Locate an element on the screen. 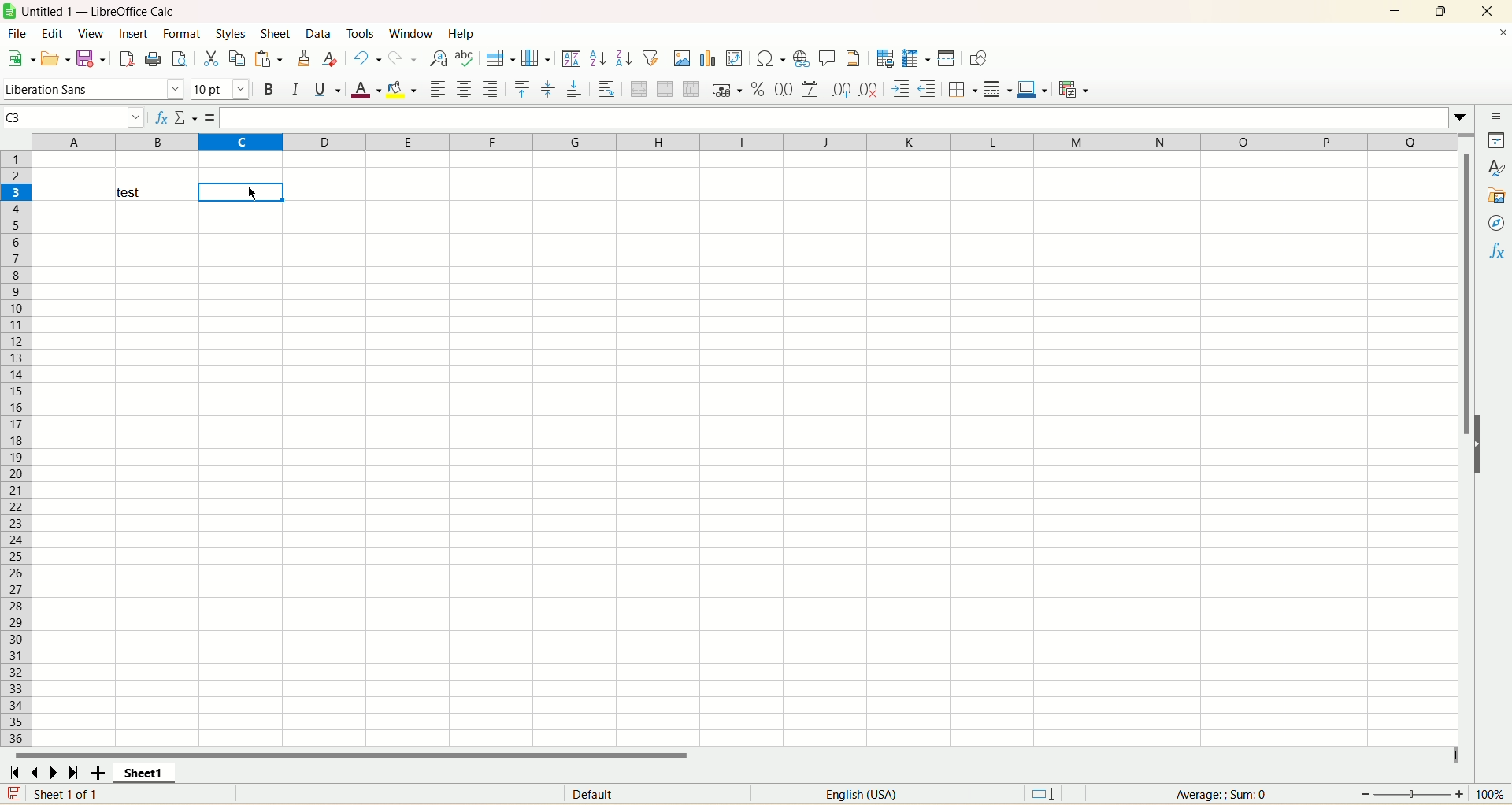 The width and height of the screenshot is (1512, 805). spell check is located at coordinates (465, 58).